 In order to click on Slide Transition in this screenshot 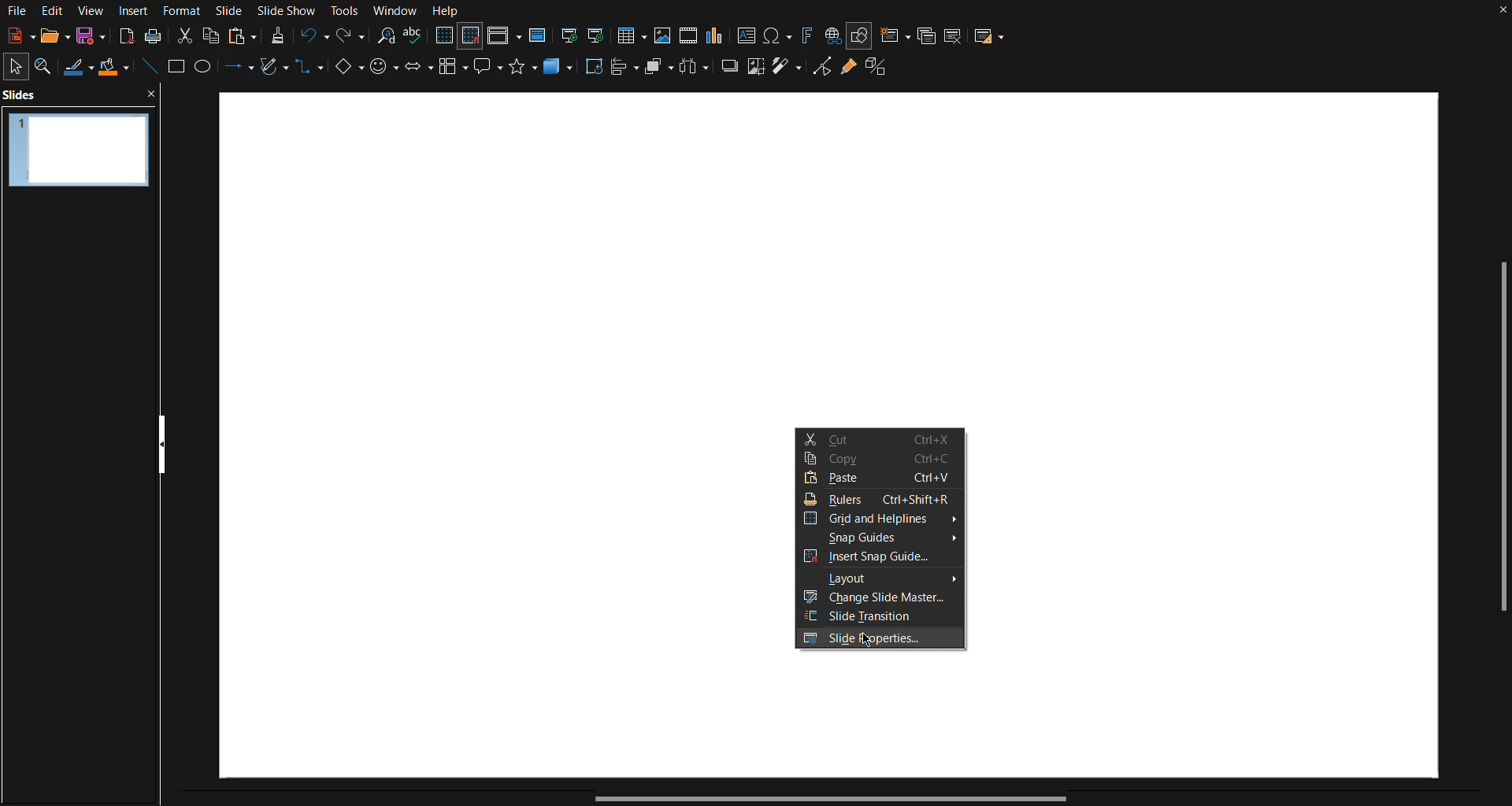, I will do `click(882, 618)`.